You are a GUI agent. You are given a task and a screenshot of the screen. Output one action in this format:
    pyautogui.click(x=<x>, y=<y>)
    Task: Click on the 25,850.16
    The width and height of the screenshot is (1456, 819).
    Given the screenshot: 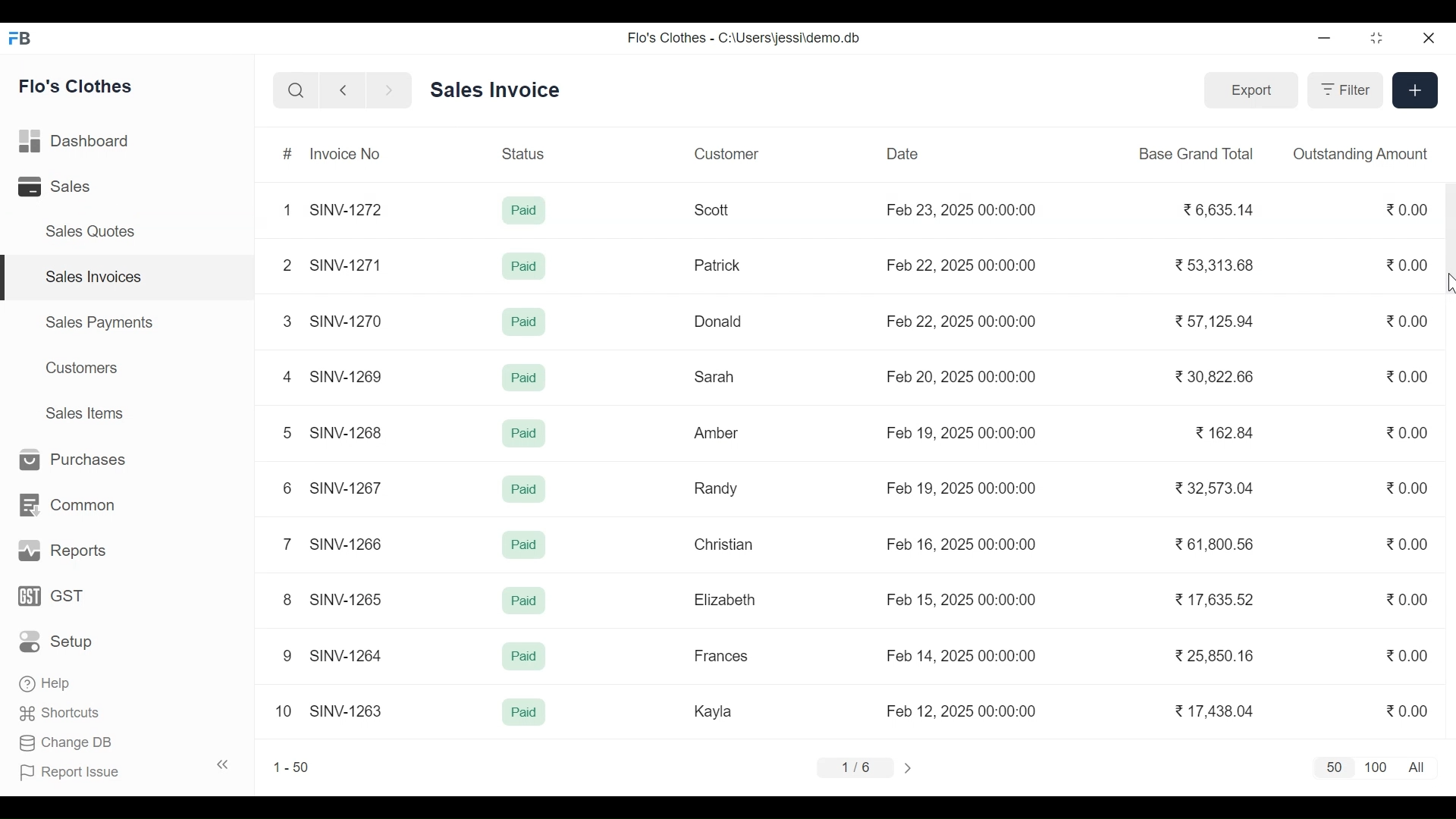 What is the action you would take?
    pyautogui.click(x=1216, y=656)
    